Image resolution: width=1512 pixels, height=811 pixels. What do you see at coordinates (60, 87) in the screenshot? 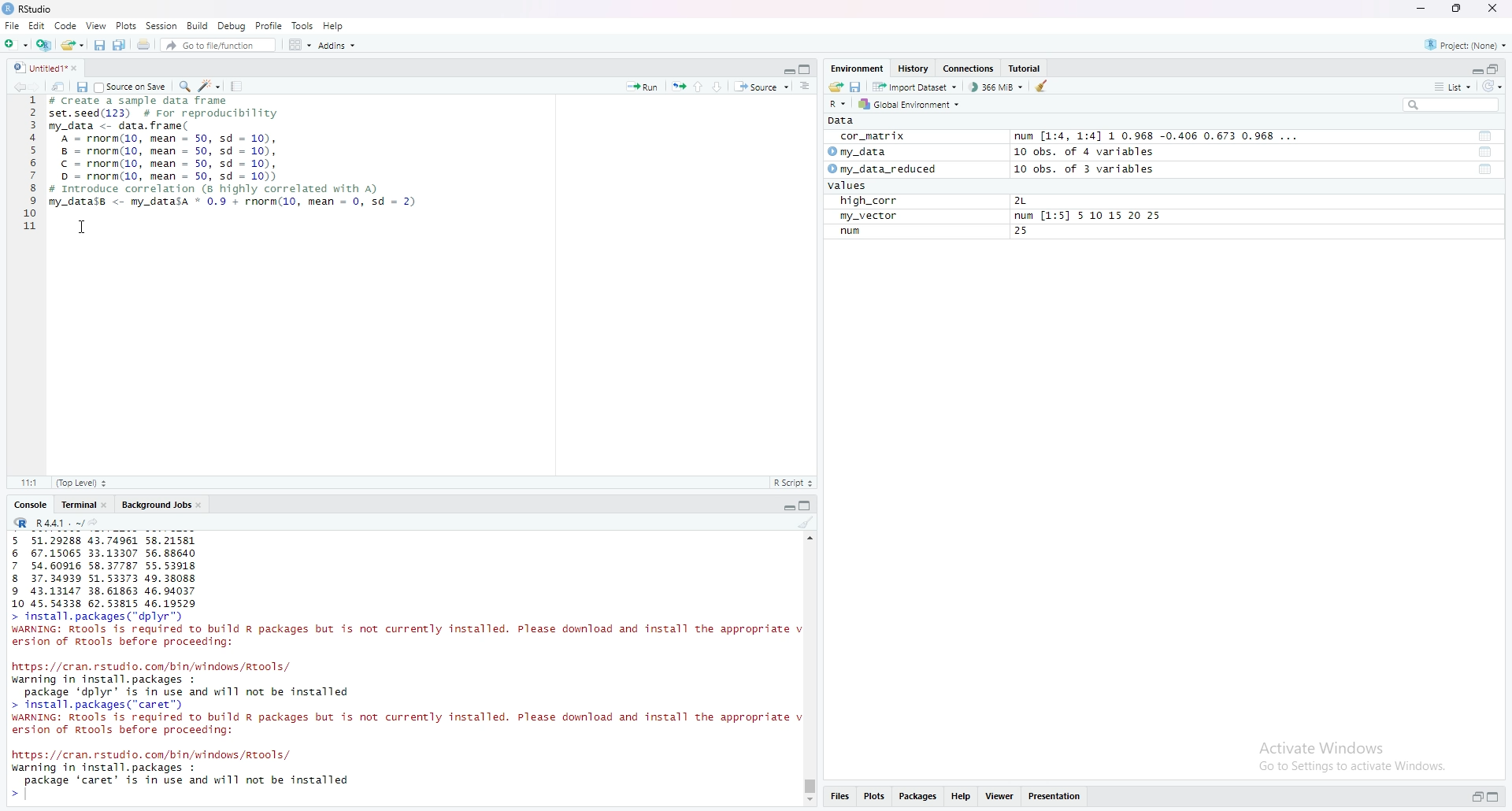
I see `share` at bounding box center [60, 87].